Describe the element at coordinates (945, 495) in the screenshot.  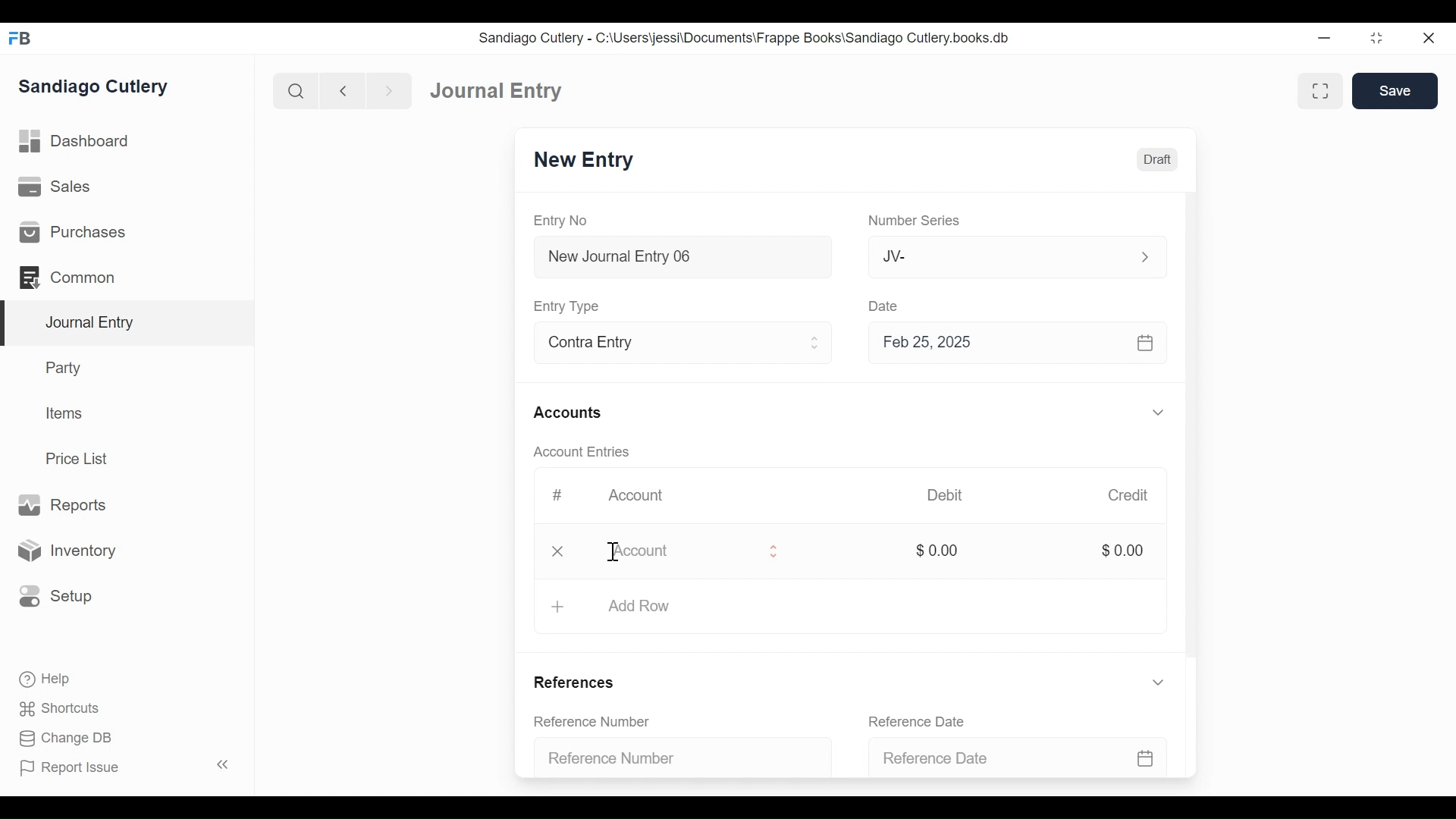
I see `Debit` at that location.